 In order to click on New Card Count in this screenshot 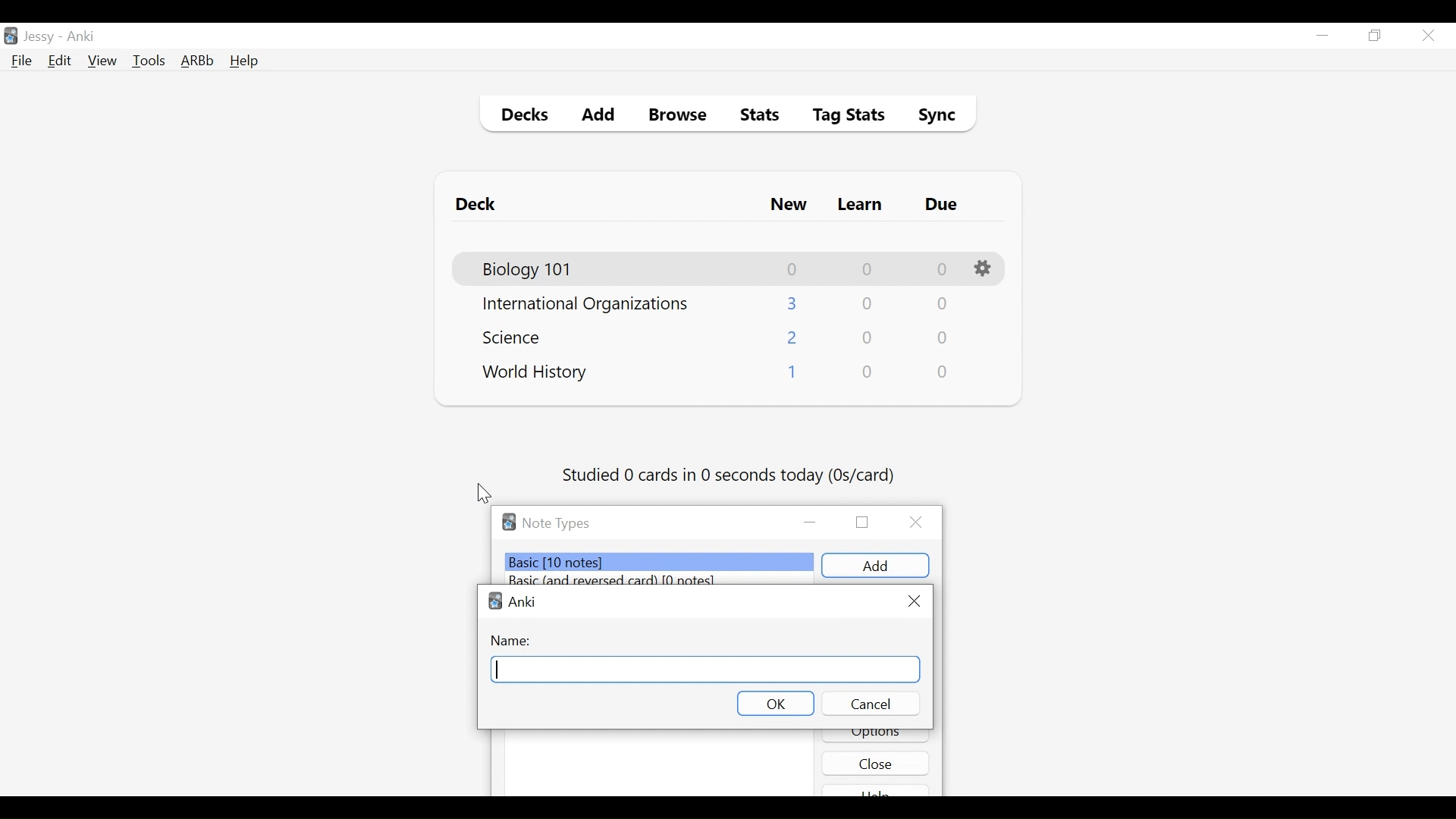, I will do `click(791, 375)`.